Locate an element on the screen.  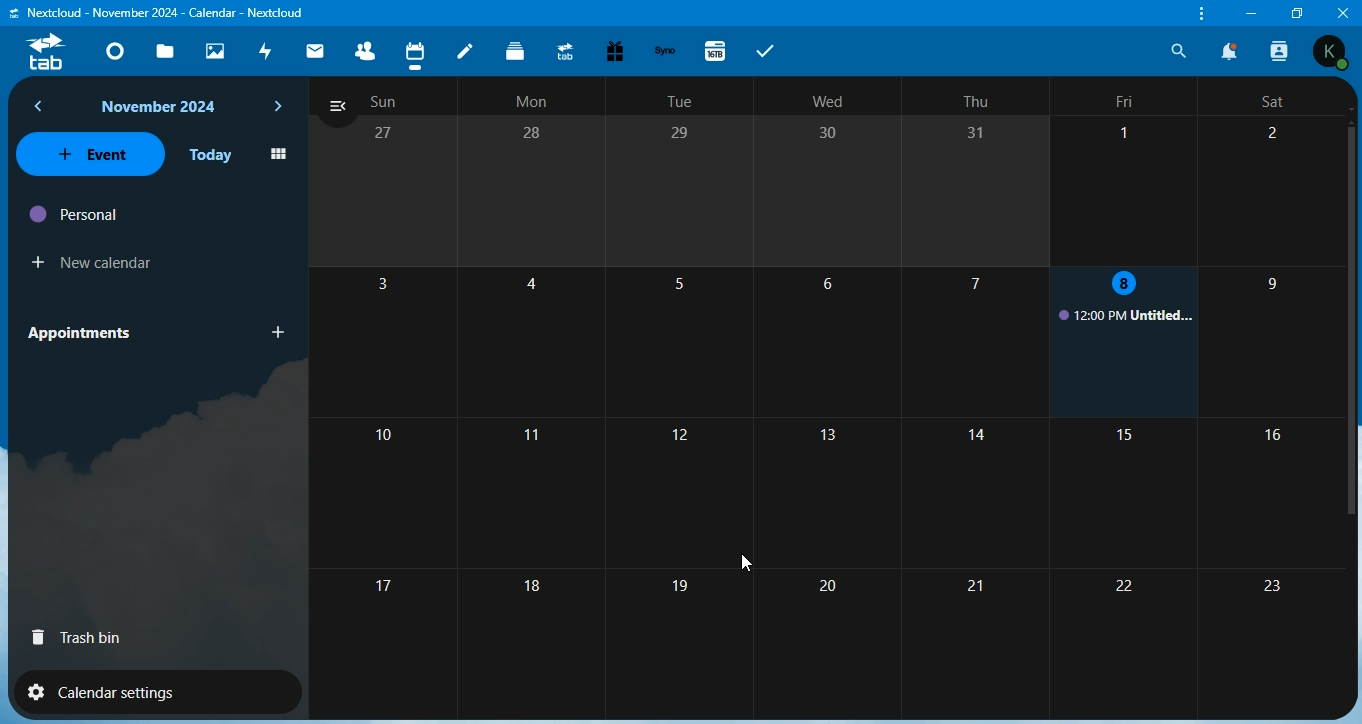
appointments is located at coordinates (89, 333).